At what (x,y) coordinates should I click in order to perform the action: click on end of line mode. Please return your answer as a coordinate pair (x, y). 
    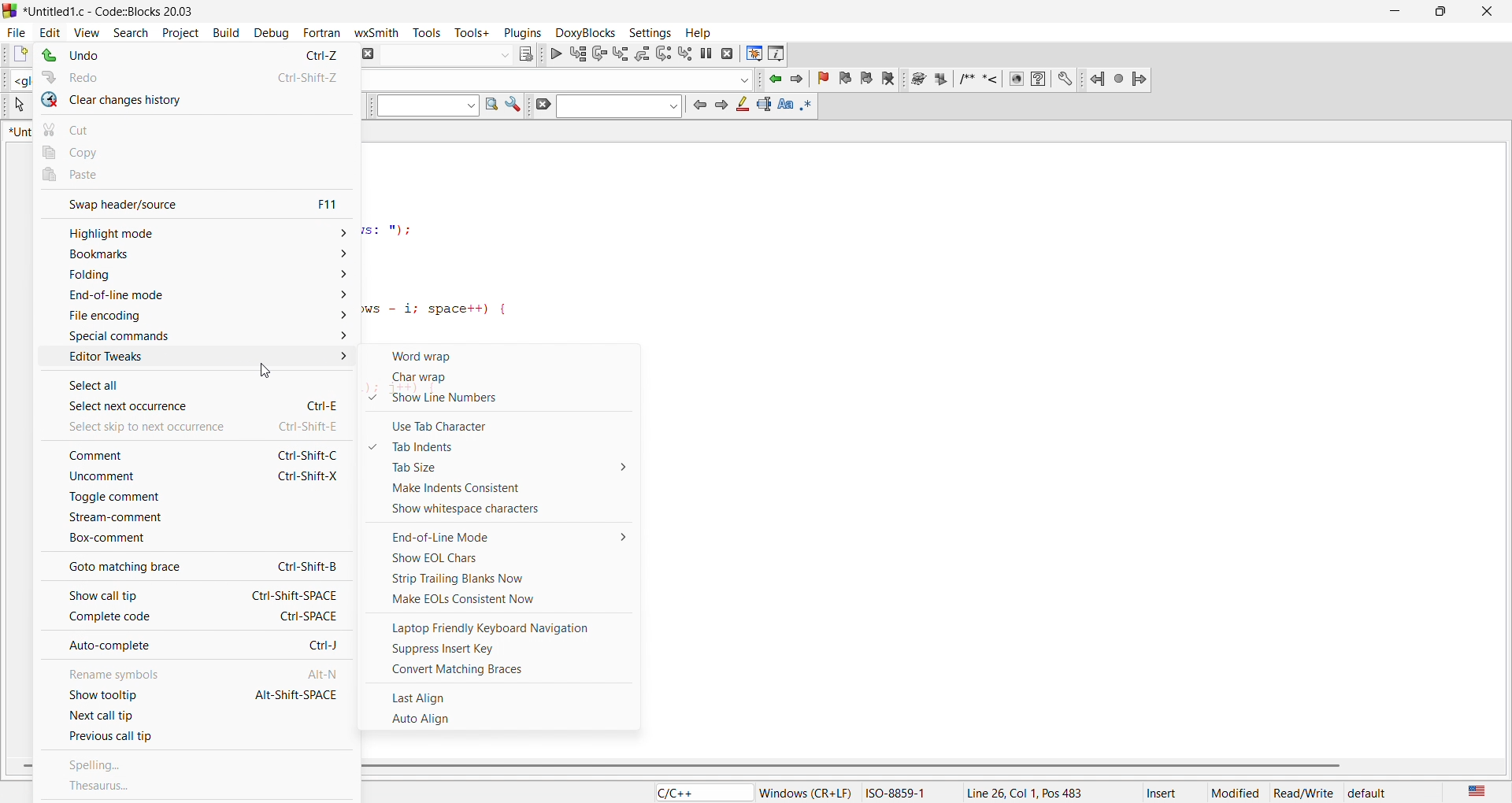
    Looking at the image, I should click on (506, 536).